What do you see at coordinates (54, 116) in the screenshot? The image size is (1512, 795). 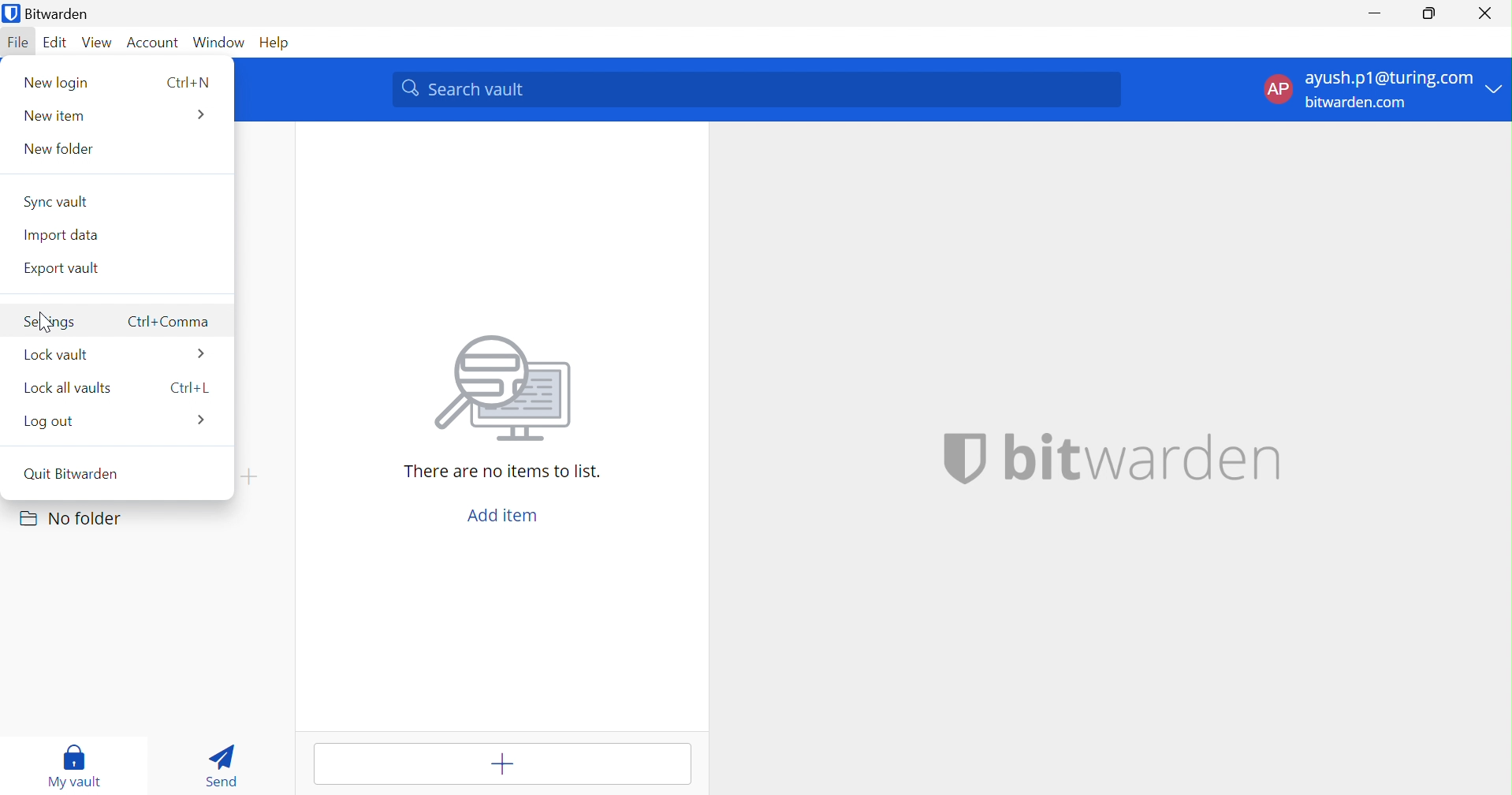 I see `New item` at bounding box center [54, 116].